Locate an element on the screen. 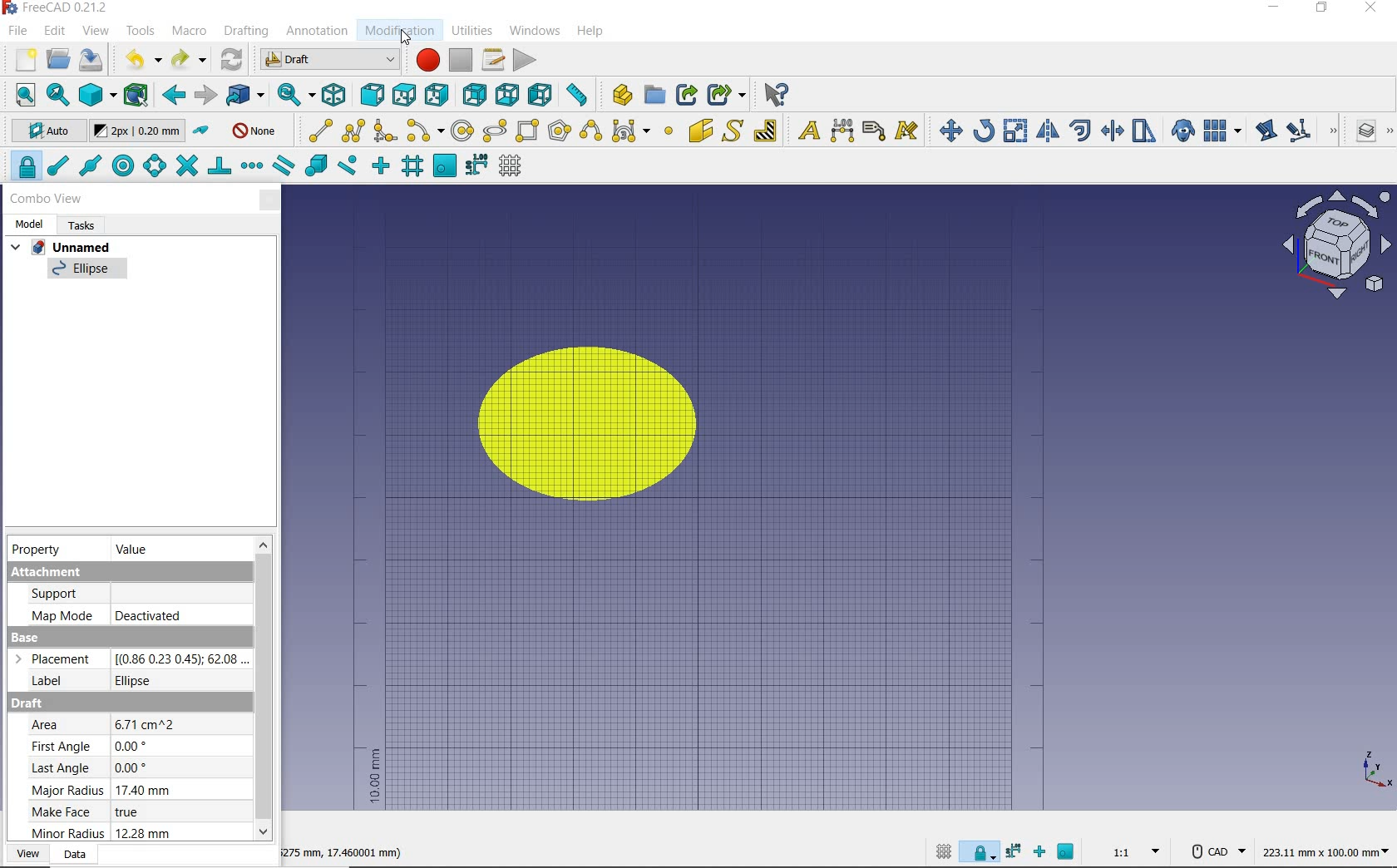 Image resolution: width=1397 pixels, height=868 pixels. property is located at coordinates (40, 550).